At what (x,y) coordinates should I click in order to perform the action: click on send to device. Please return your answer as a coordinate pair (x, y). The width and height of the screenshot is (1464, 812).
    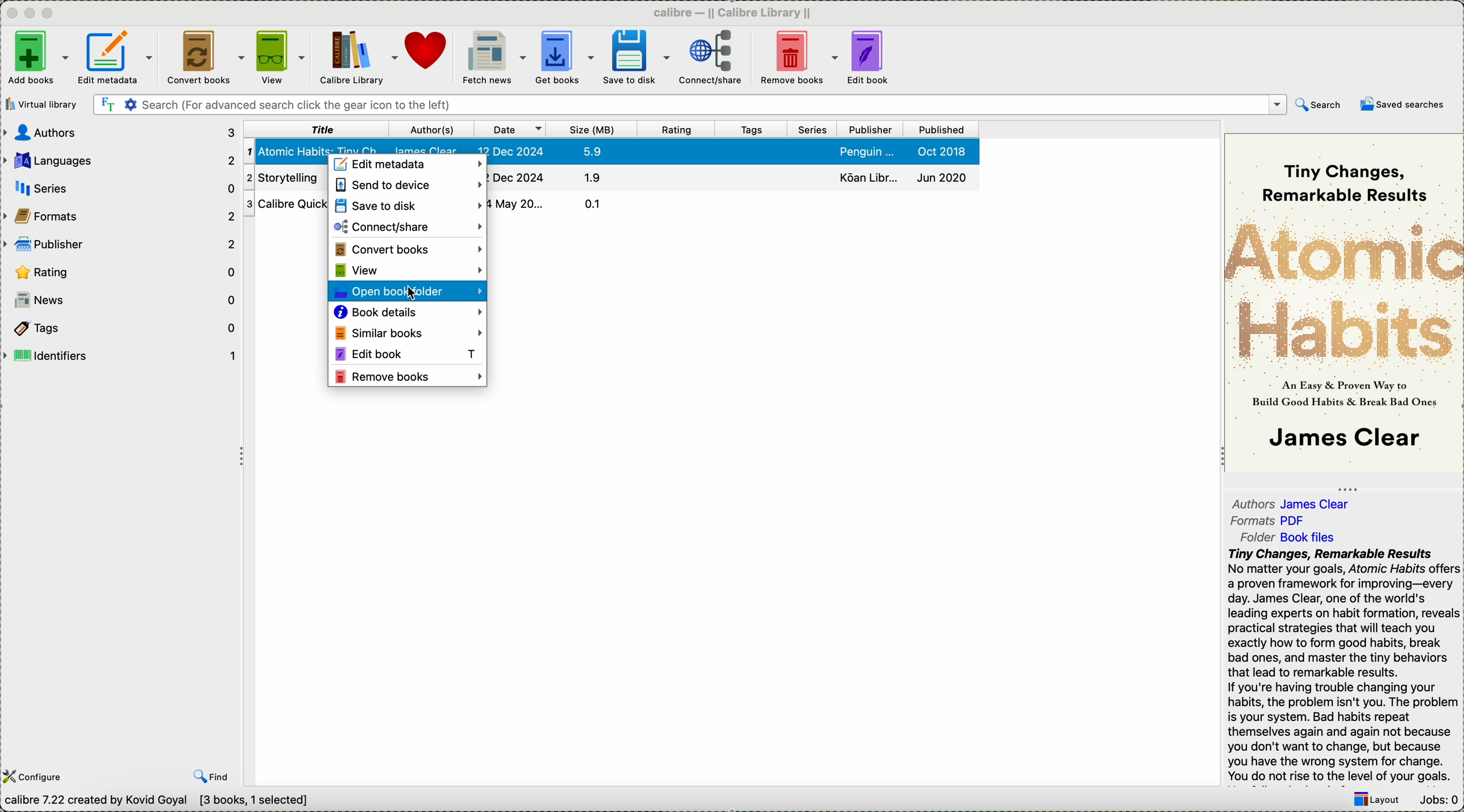
    Looking at the image, I should click on (406, 185).